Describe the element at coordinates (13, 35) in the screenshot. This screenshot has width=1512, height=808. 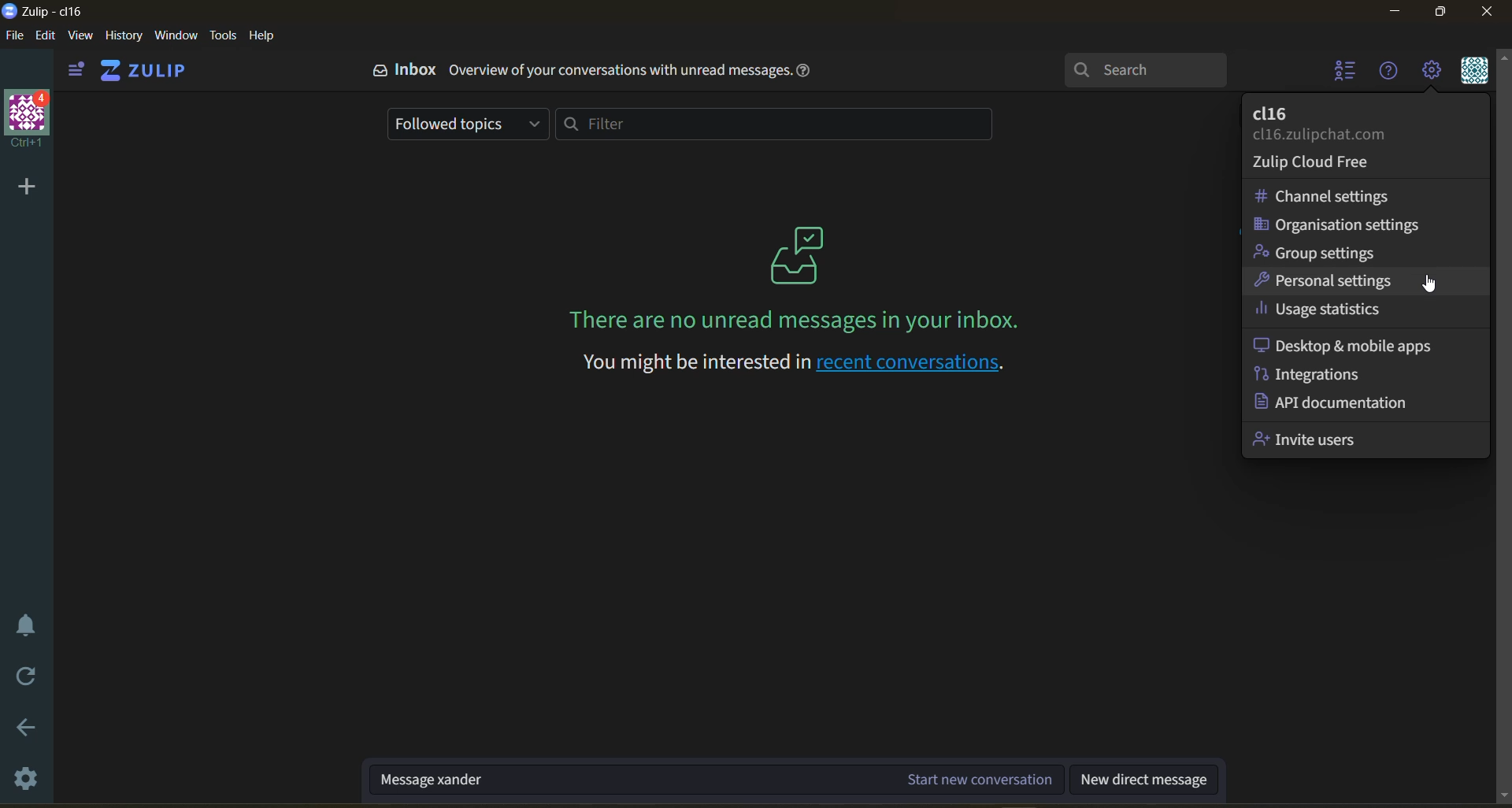
I see `file` at that location.